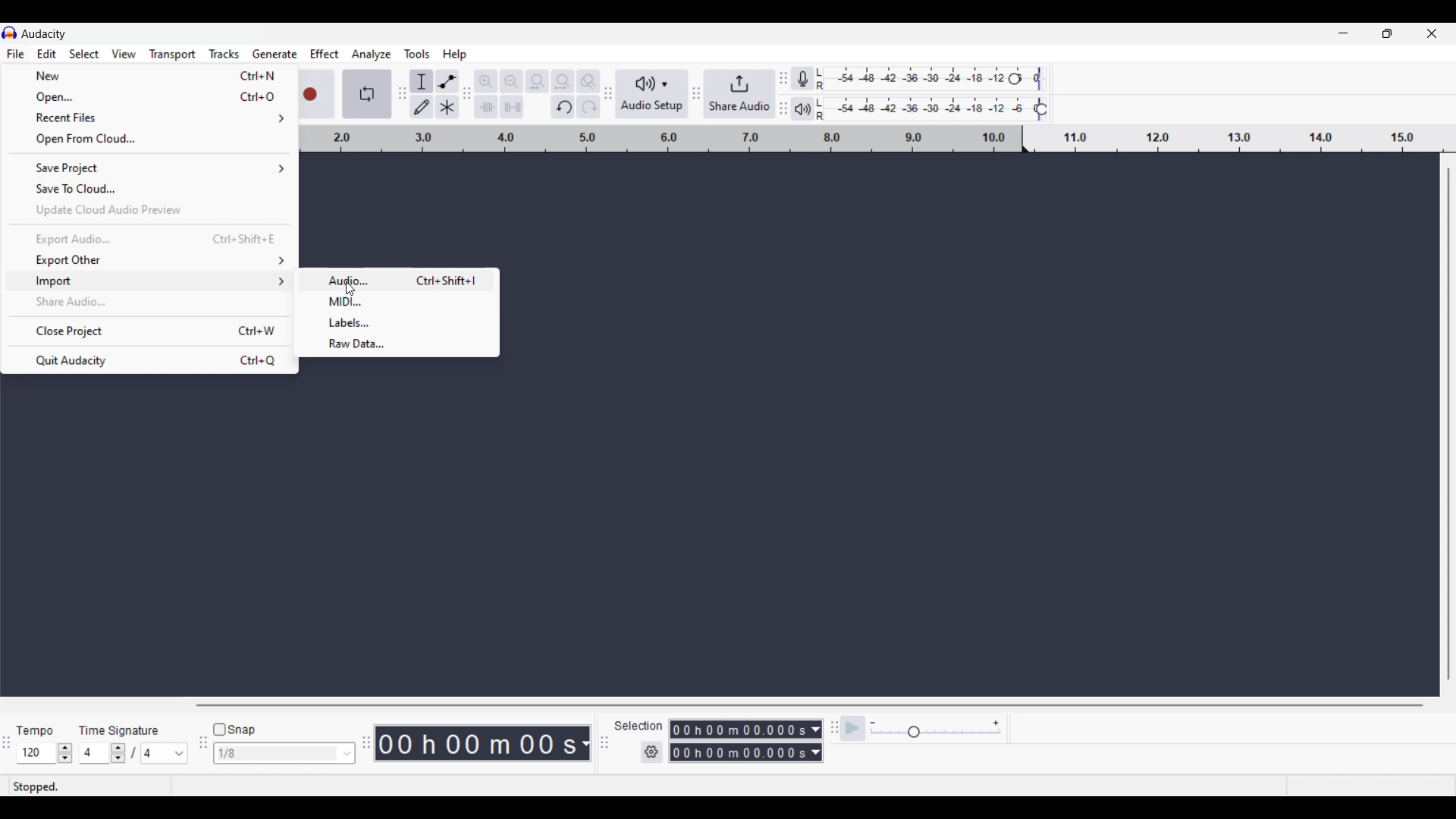  I want to click on Enable looping, so click(366, 94).